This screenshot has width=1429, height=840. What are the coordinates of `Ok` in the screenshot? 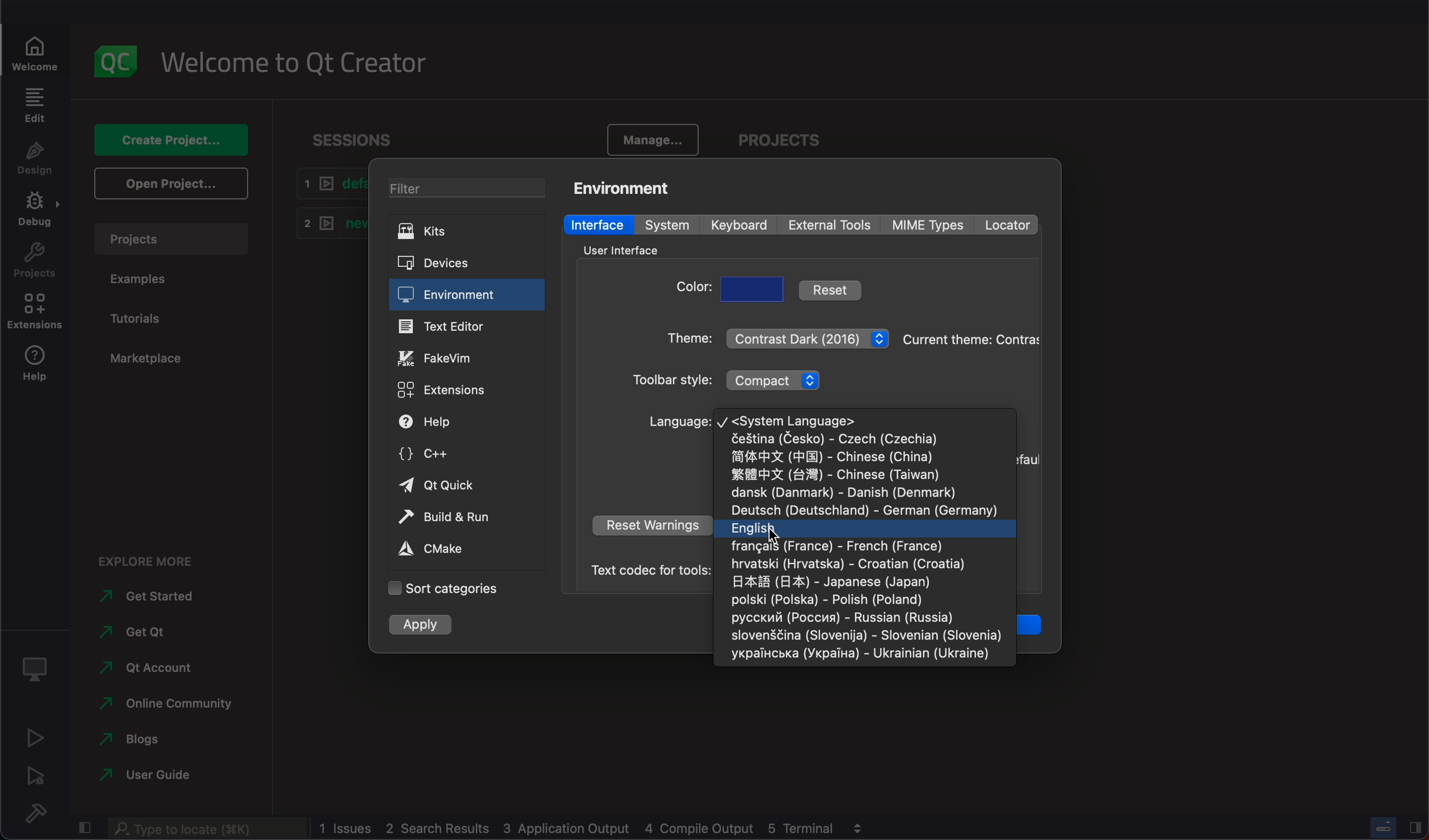 It's located at (1041, 627).